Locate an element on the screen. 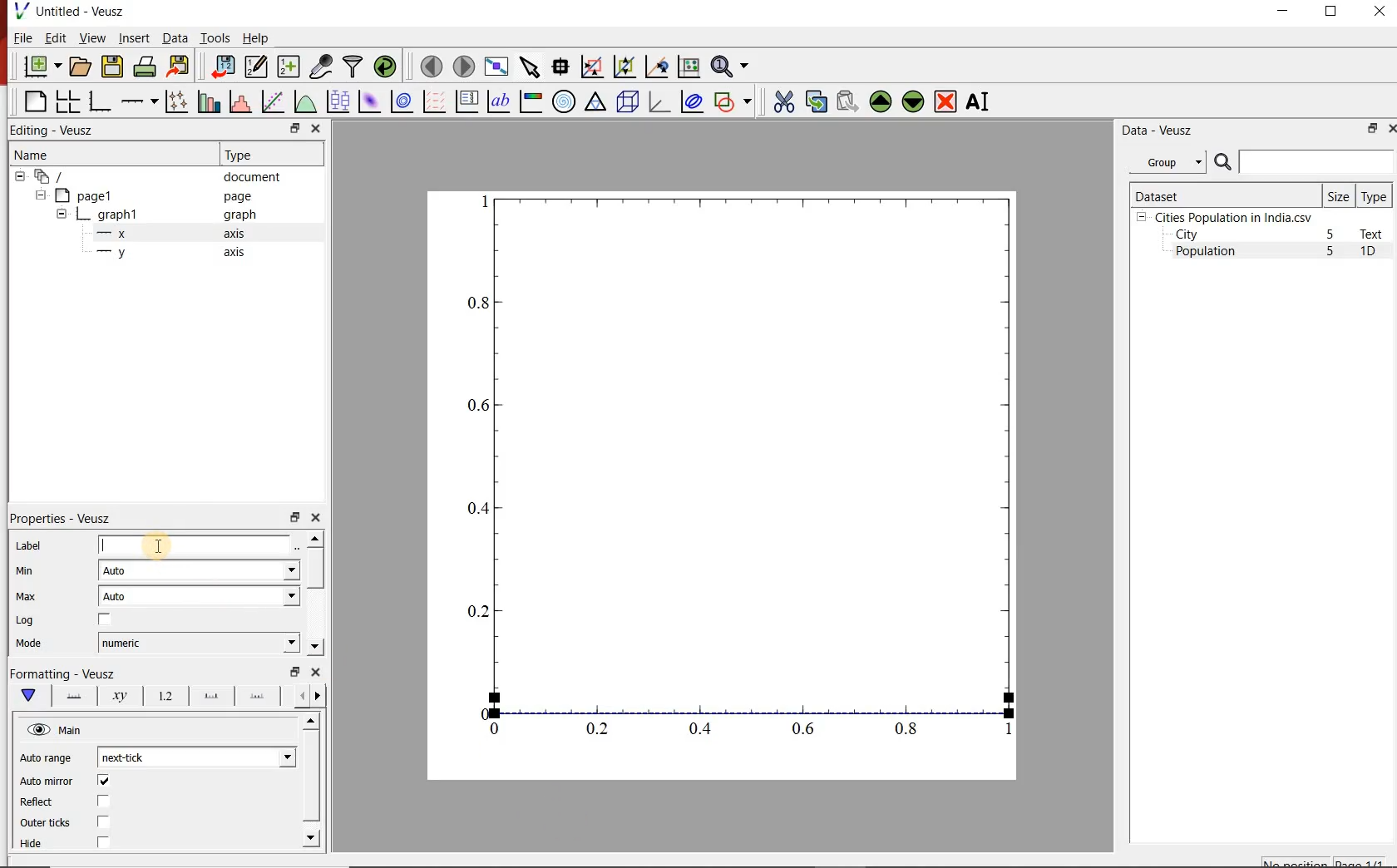  restore is located at coordinates (294, 516).